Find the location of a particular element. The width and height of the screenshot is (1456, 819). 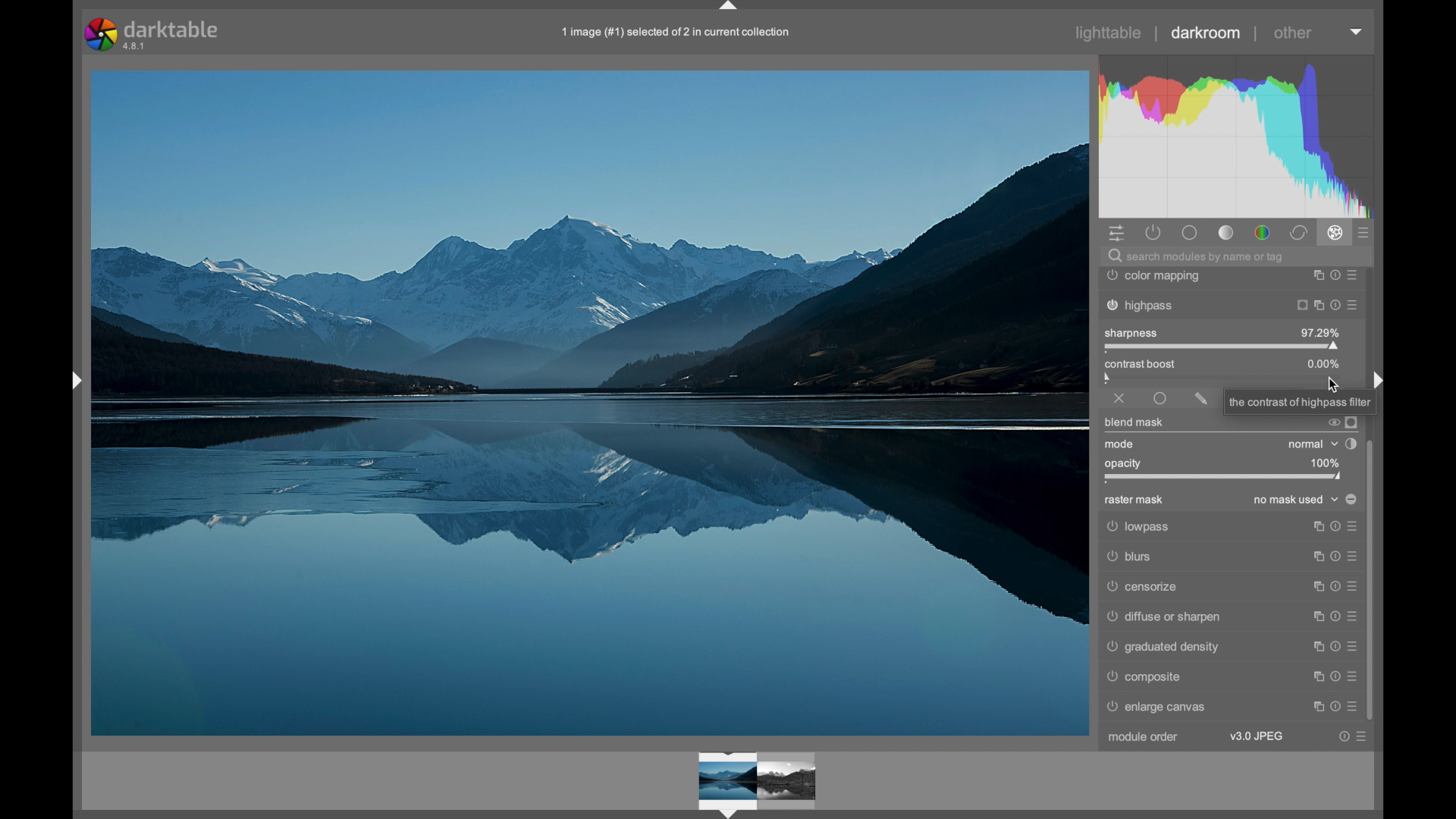

diffuse or sharpen is located at coordinates (1231, 616).